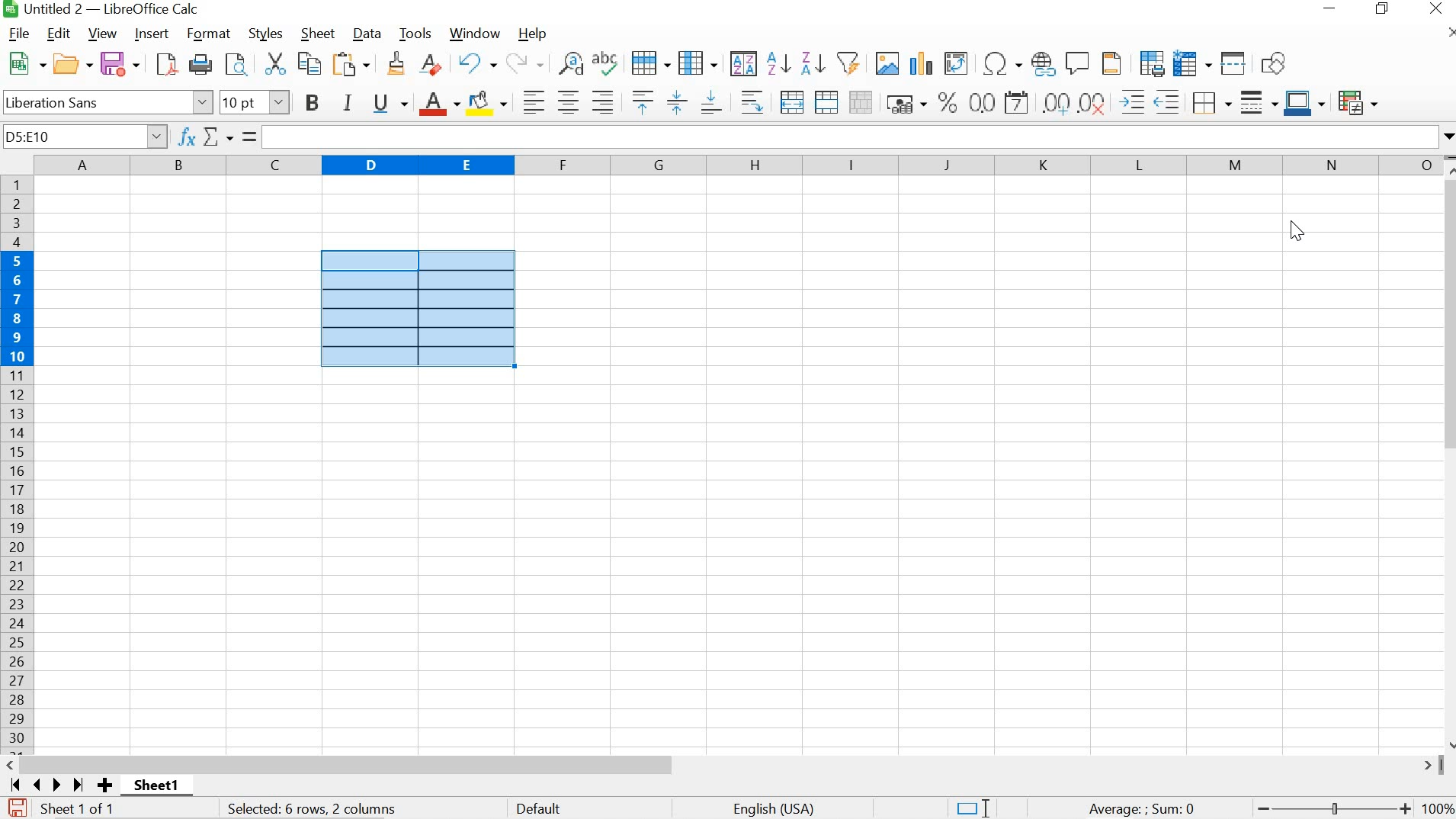  Describe the element at coordinates (1150, 103) in the screenshot. I see `INCREASE INDENT OR DECREASE INDENT` at that location.